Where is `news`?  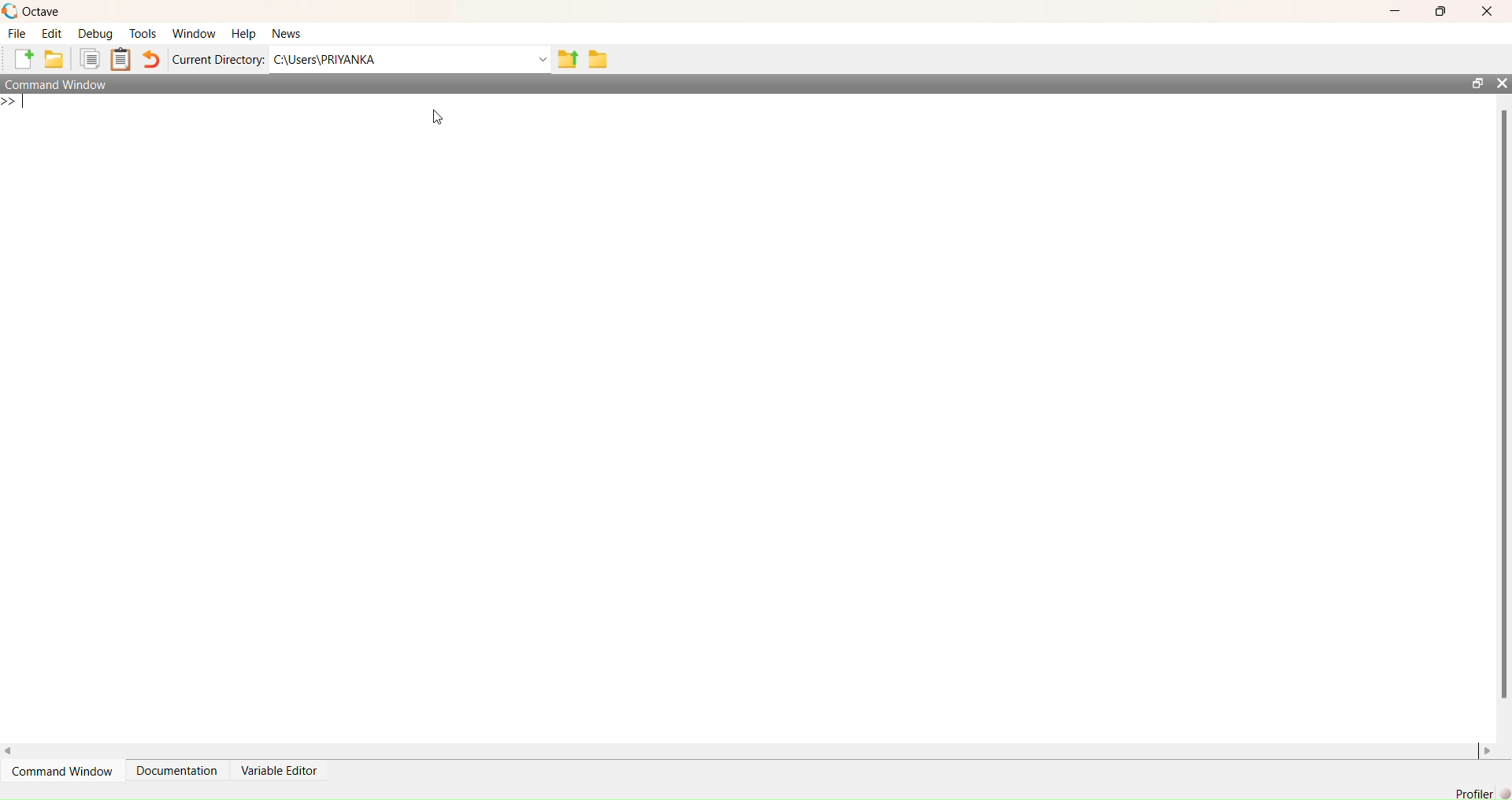 news is located at coordinates (287, 34).